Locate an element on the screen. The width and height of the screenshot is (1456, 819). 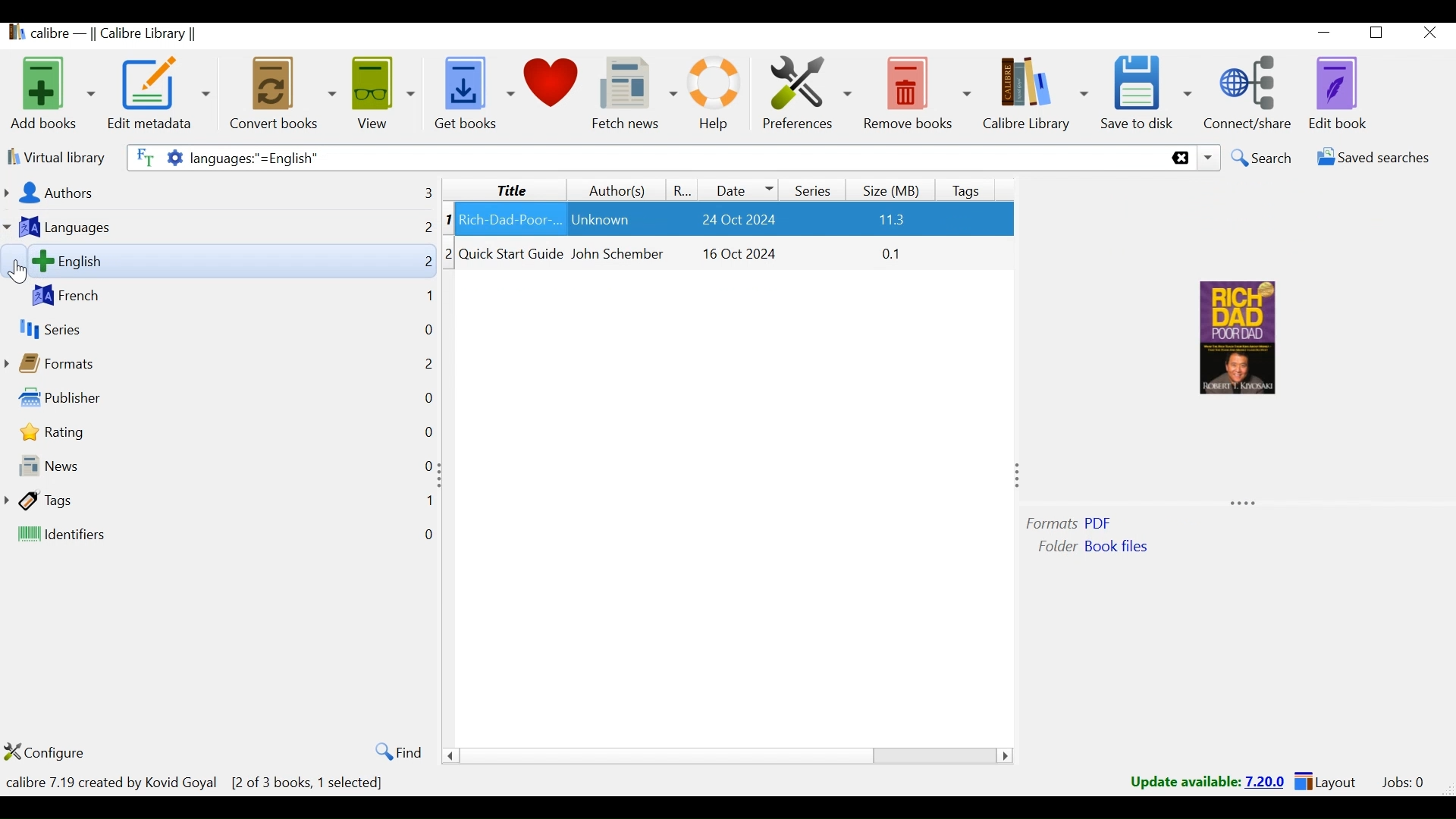
Publisher is located at coordinates (105, 397).